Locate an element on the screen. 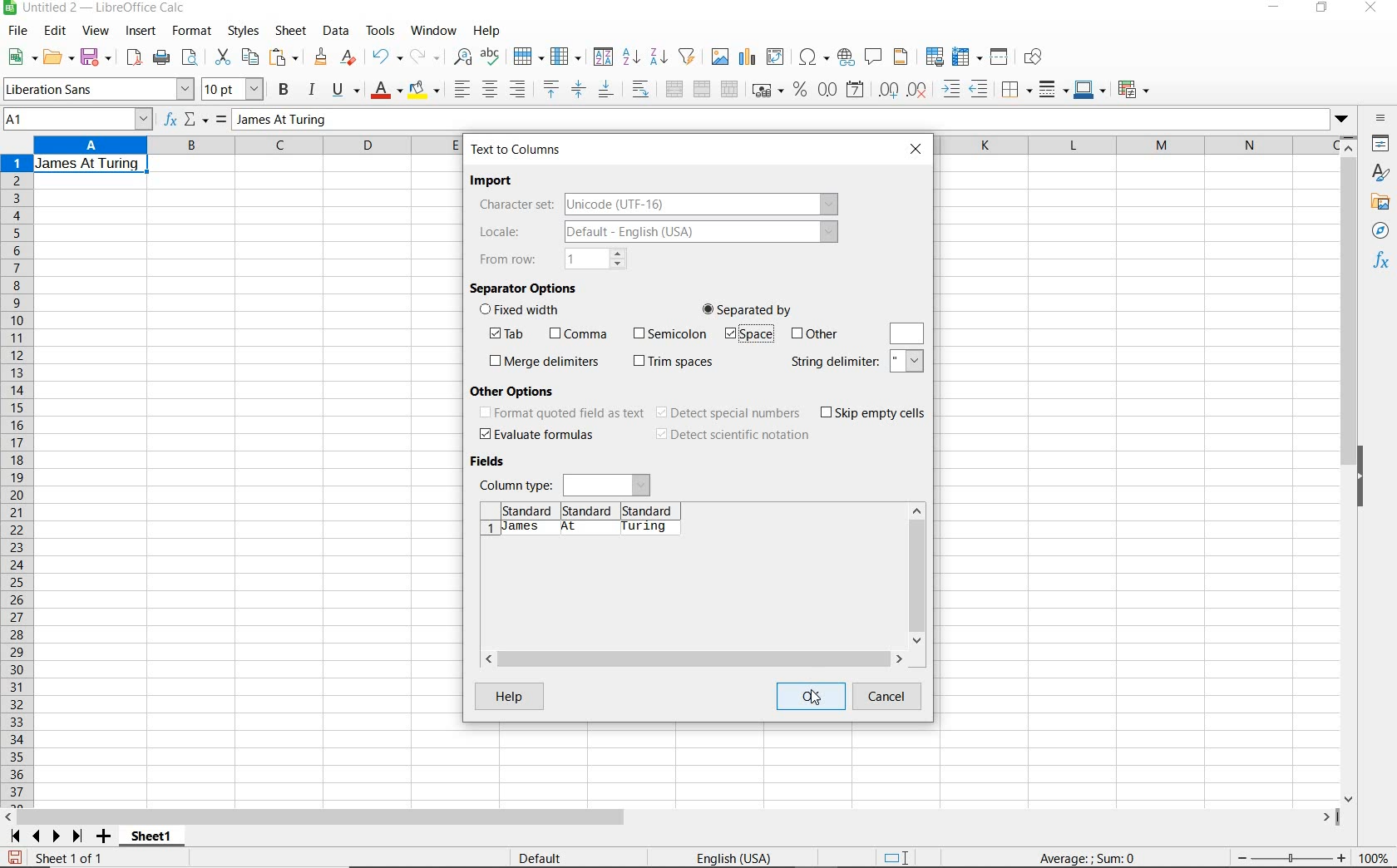  close is located at coordinates (918, 148).